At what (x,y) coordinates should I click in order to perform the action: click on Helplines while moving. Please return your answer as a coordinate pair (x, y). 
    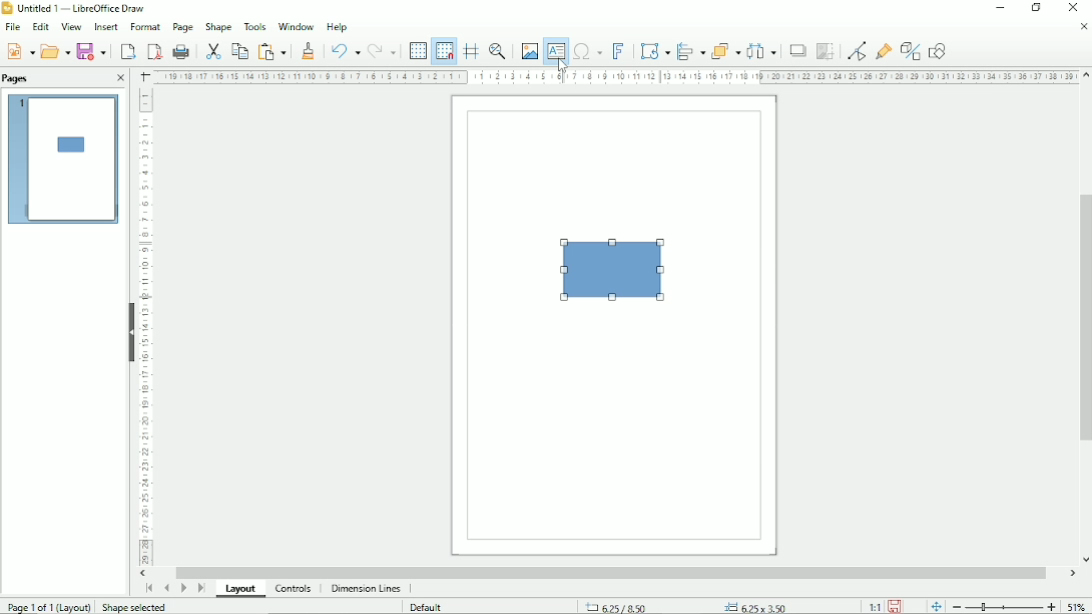
    Looking at the image, I should click on (471, 48).